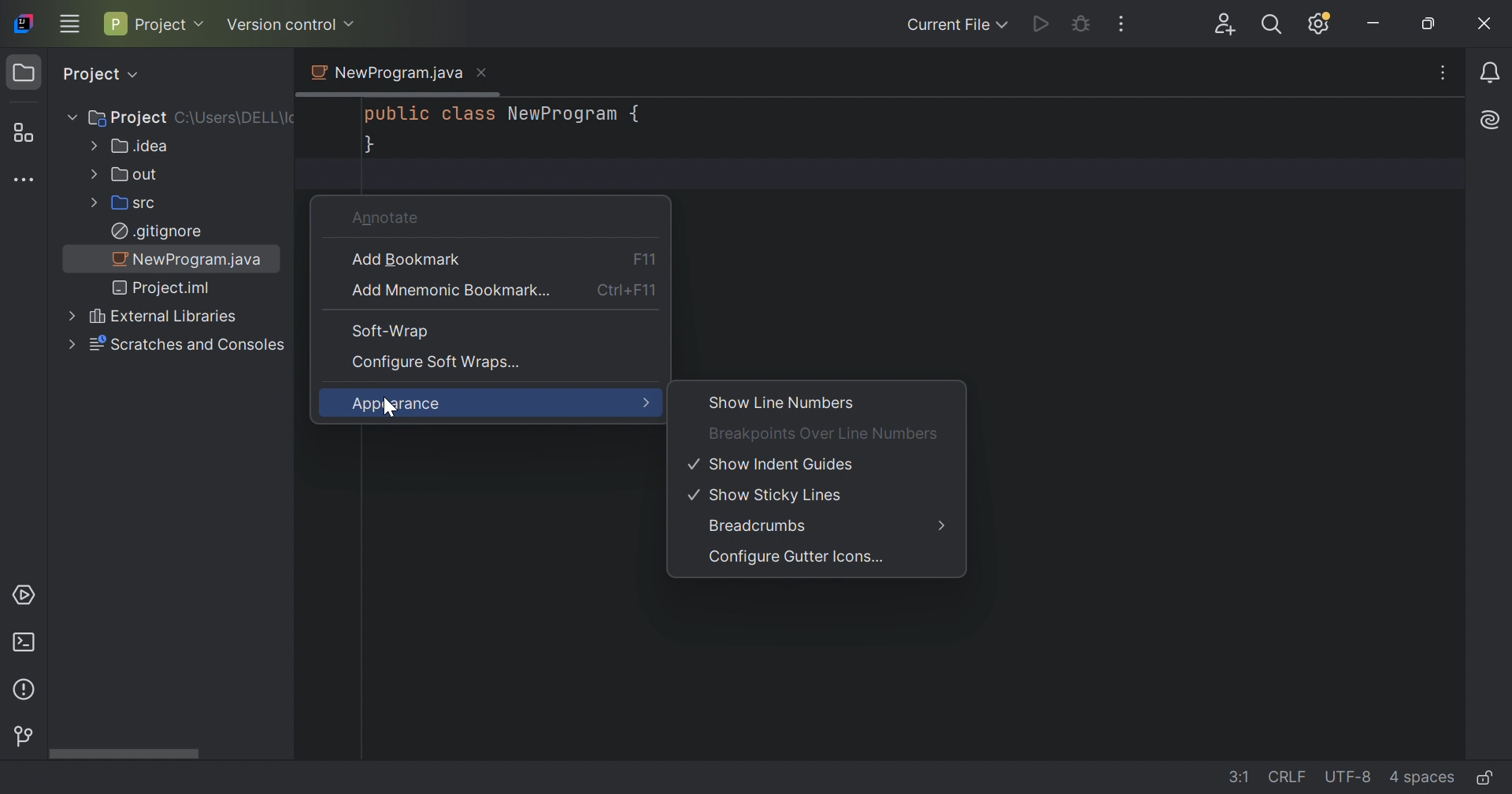  Describe the element at coordinates (69, 345) in the screenshot. I see `Drop Down` at that location.